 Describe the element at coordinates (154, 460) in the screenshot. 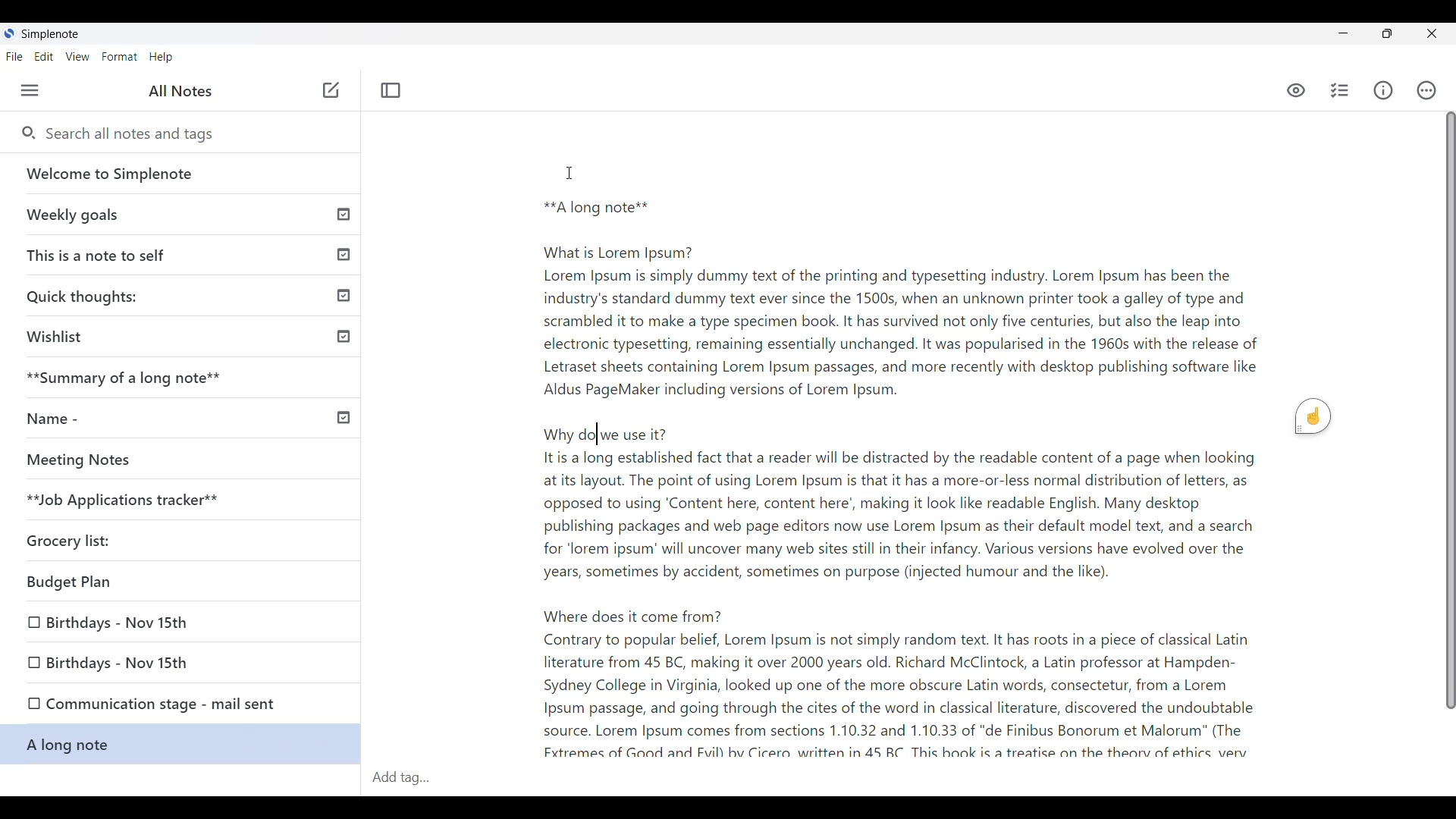

I see `Meeting notes` at that location.